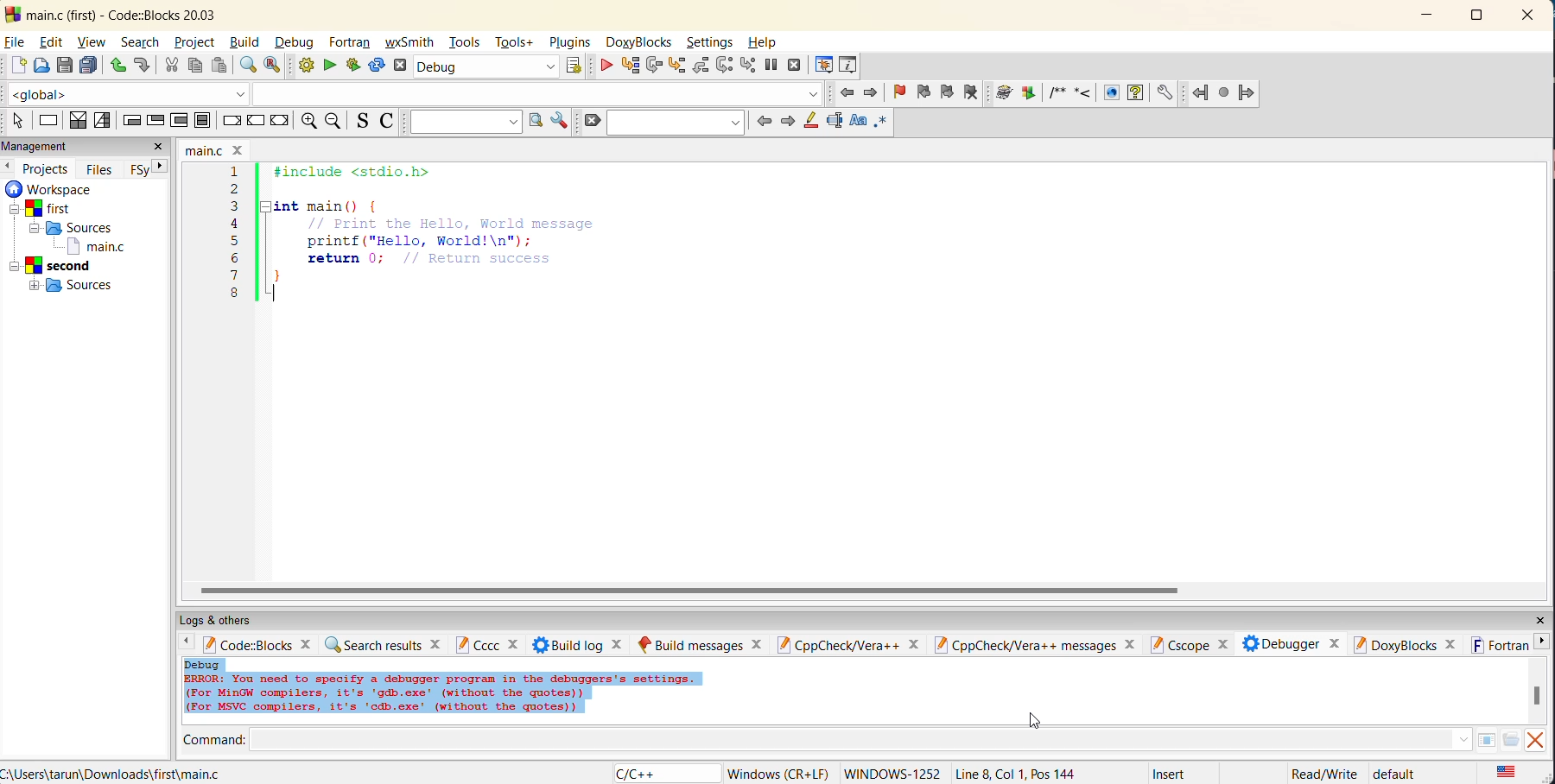 The height and width of the screenshot is (784, 1555). I want to click on workspaces, so click(75, 242).